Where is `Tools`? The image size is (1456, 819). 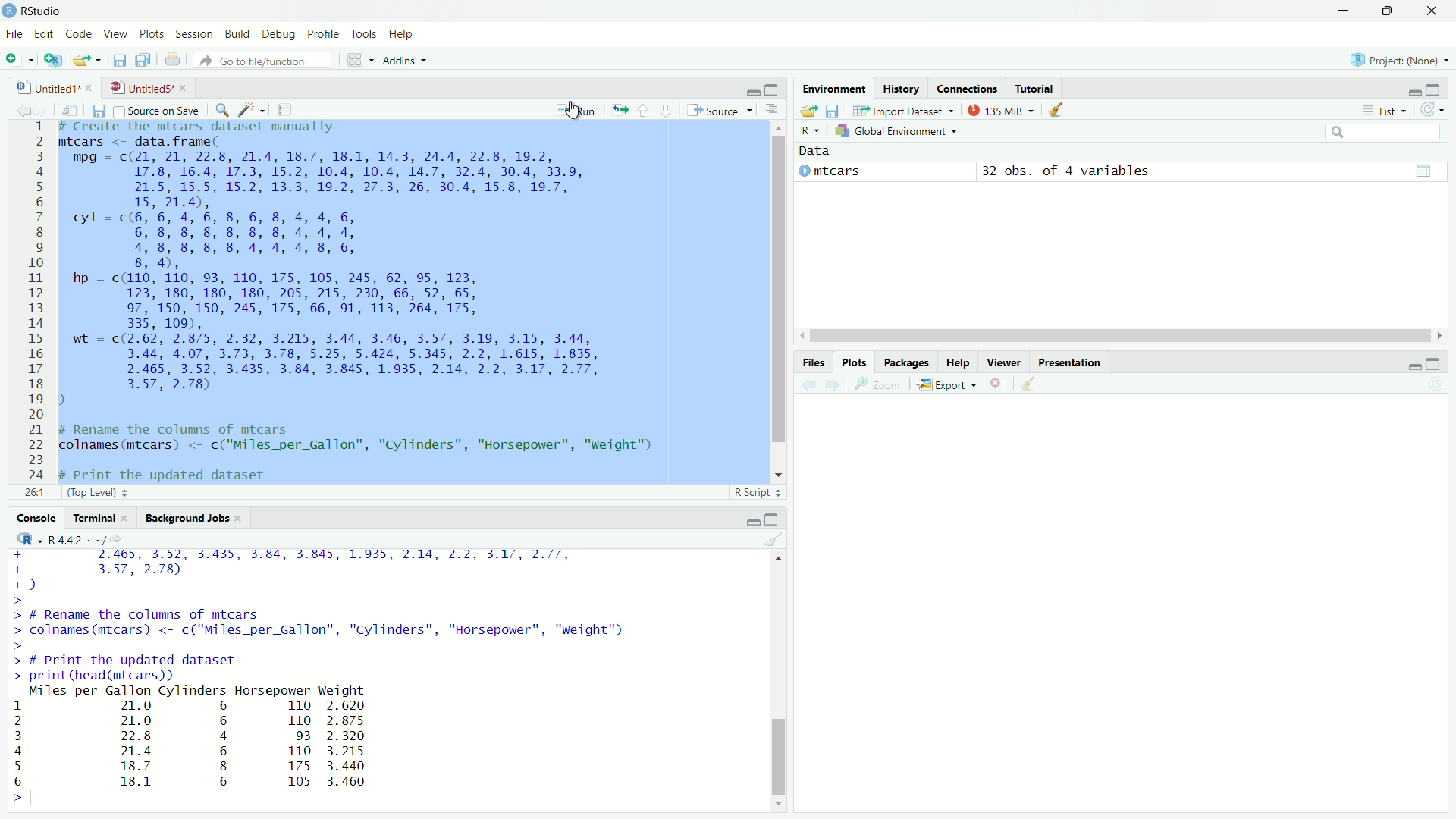
Tools is located at coordinates (366, 35).